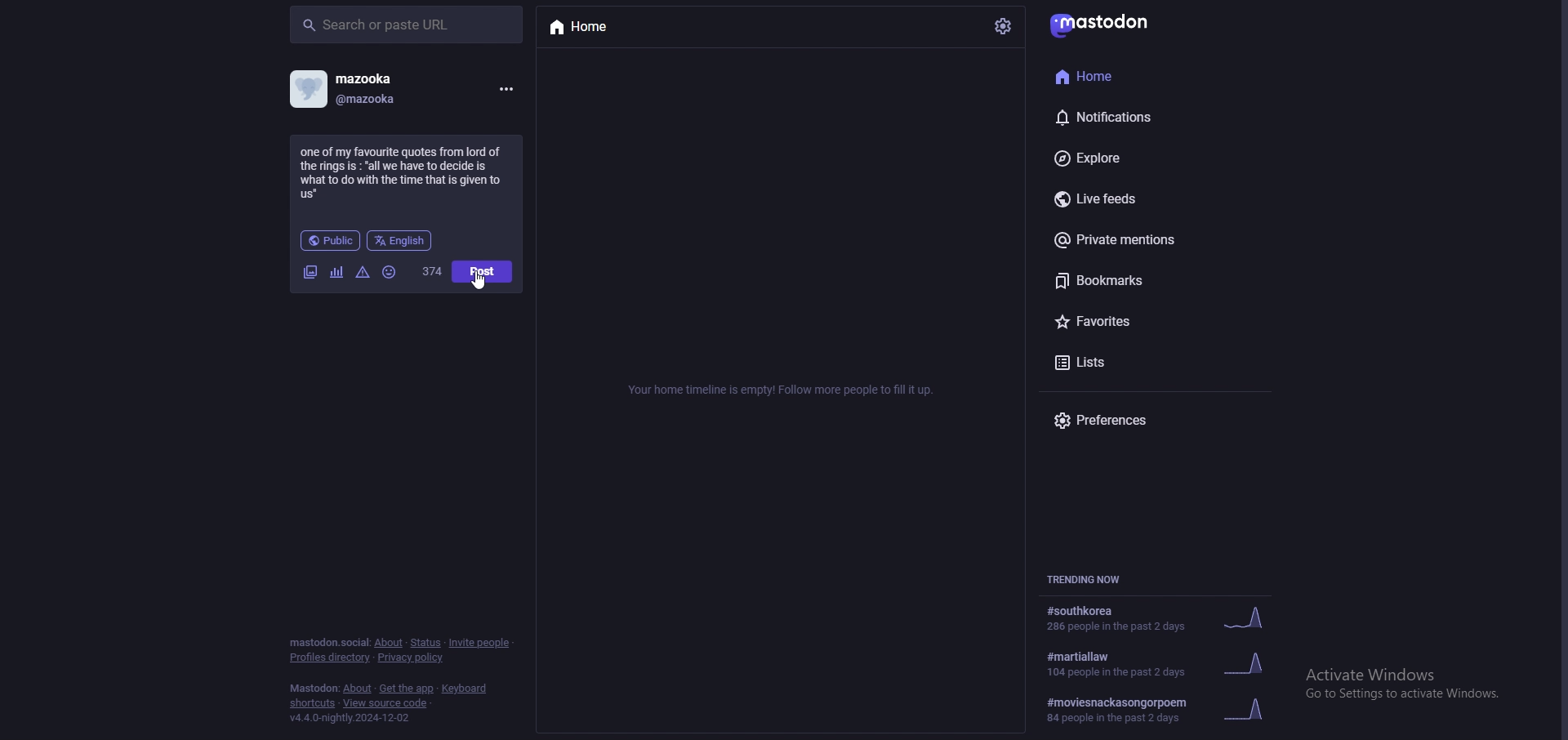 This screenshot has height=740, width=1568. What do you see at coordinates (328, 644) in the screenshot?
I see `mastodon social` at bounding box center [328, 644].